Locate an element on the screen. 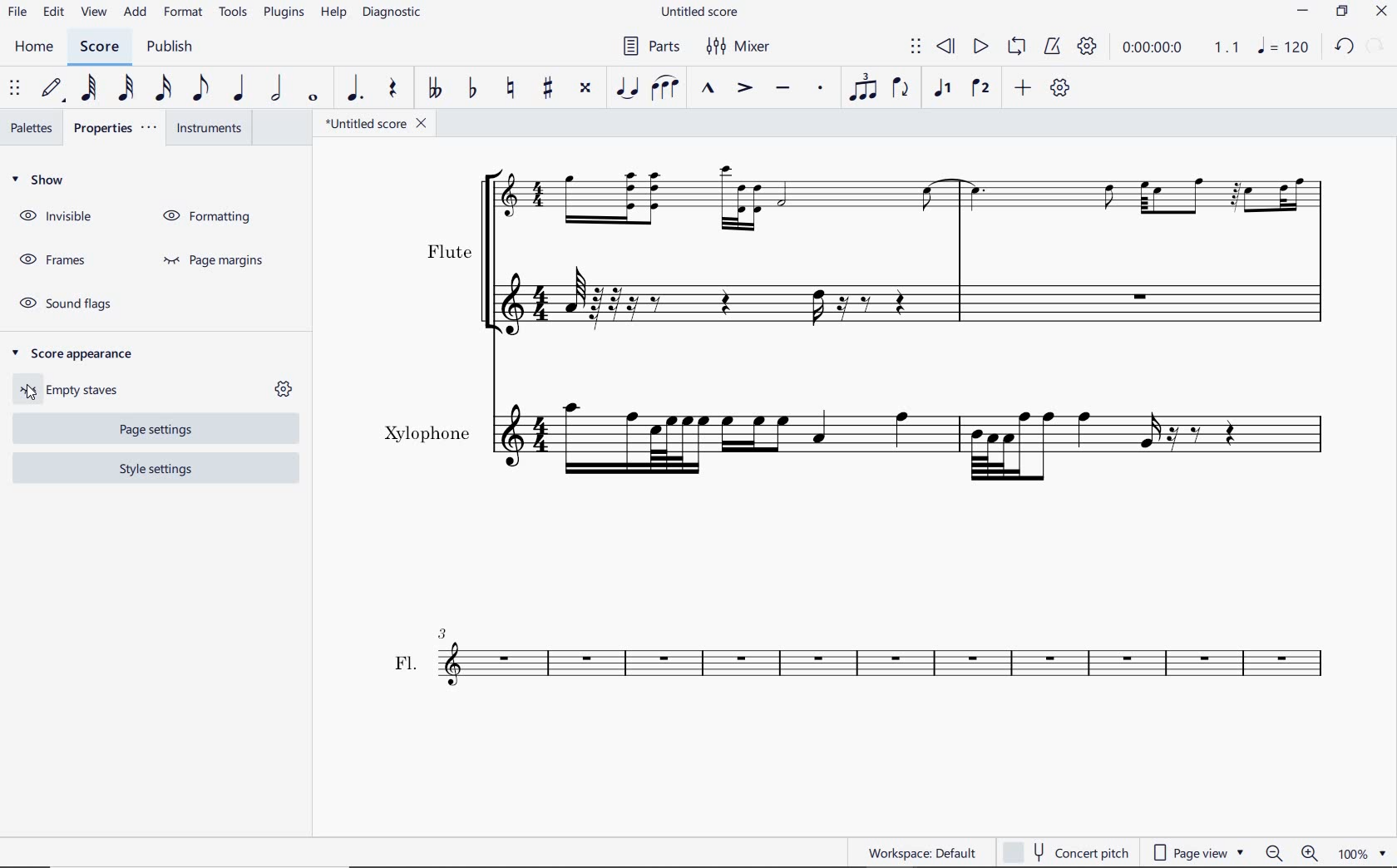 Image resolution: width=1397 pixels, height=868 pixels. edit is located at coordinates (53, 13).